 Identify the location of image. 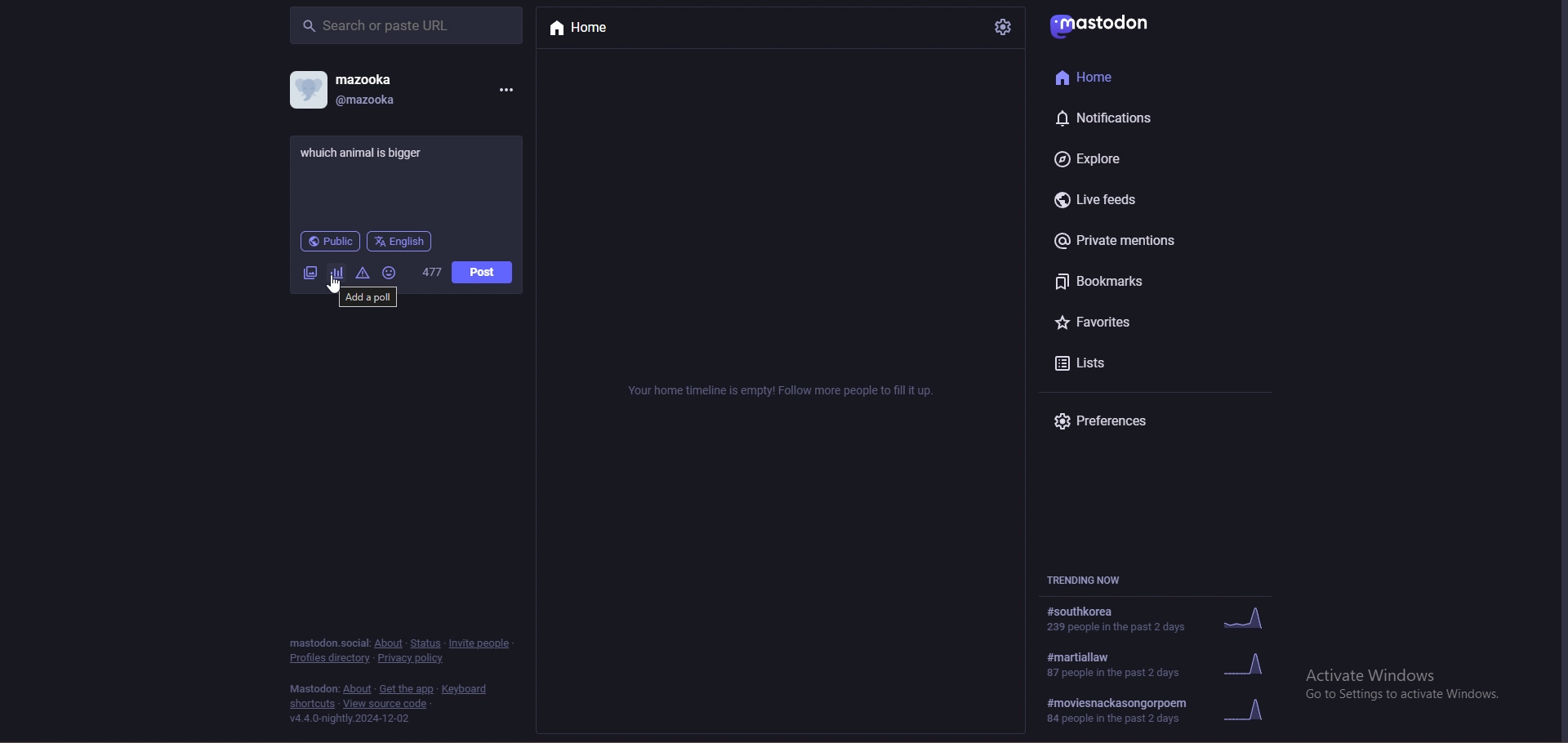
(308, 274).